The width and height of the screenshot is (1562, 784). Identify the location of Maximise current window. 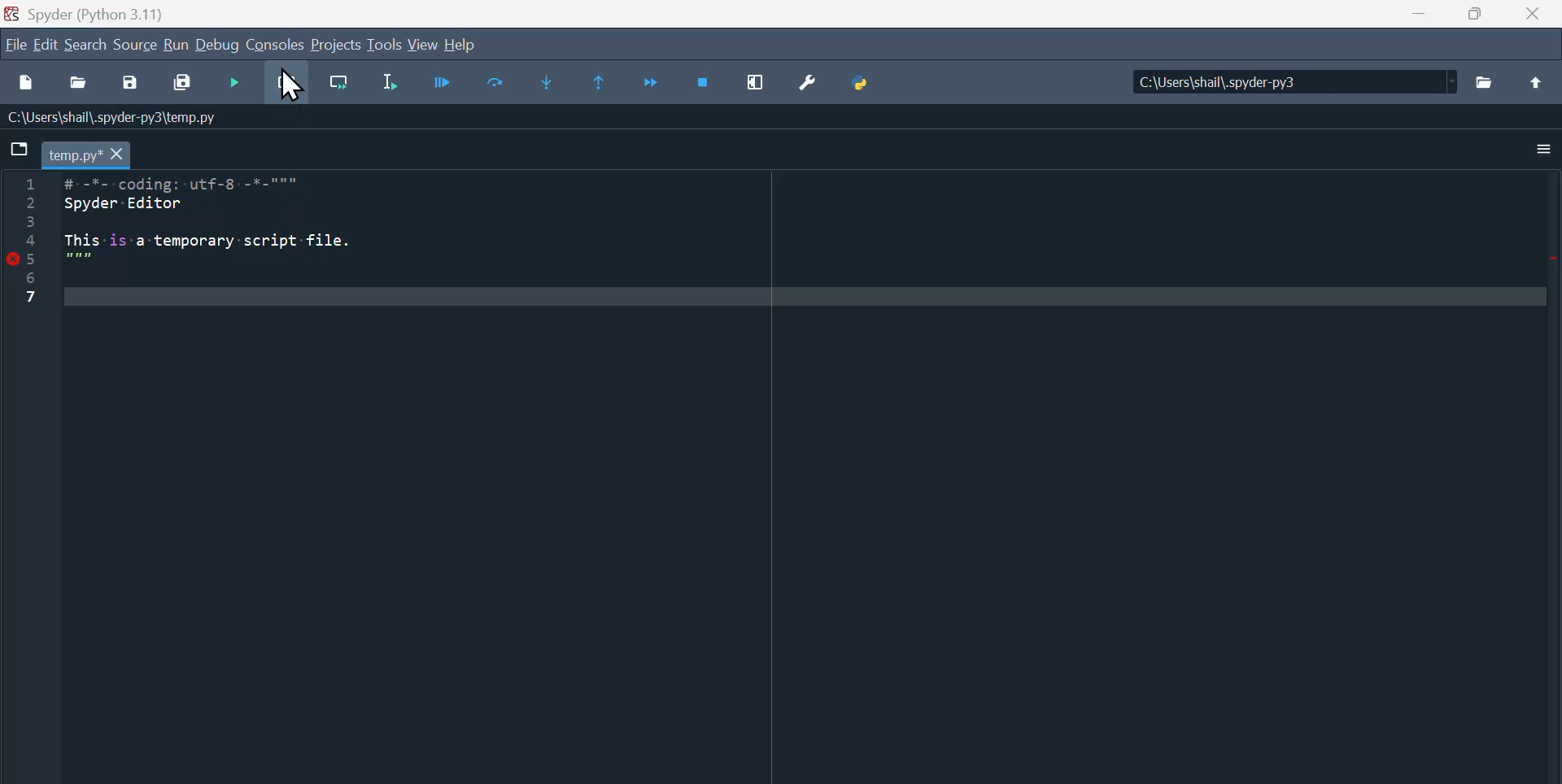
(759, 80).